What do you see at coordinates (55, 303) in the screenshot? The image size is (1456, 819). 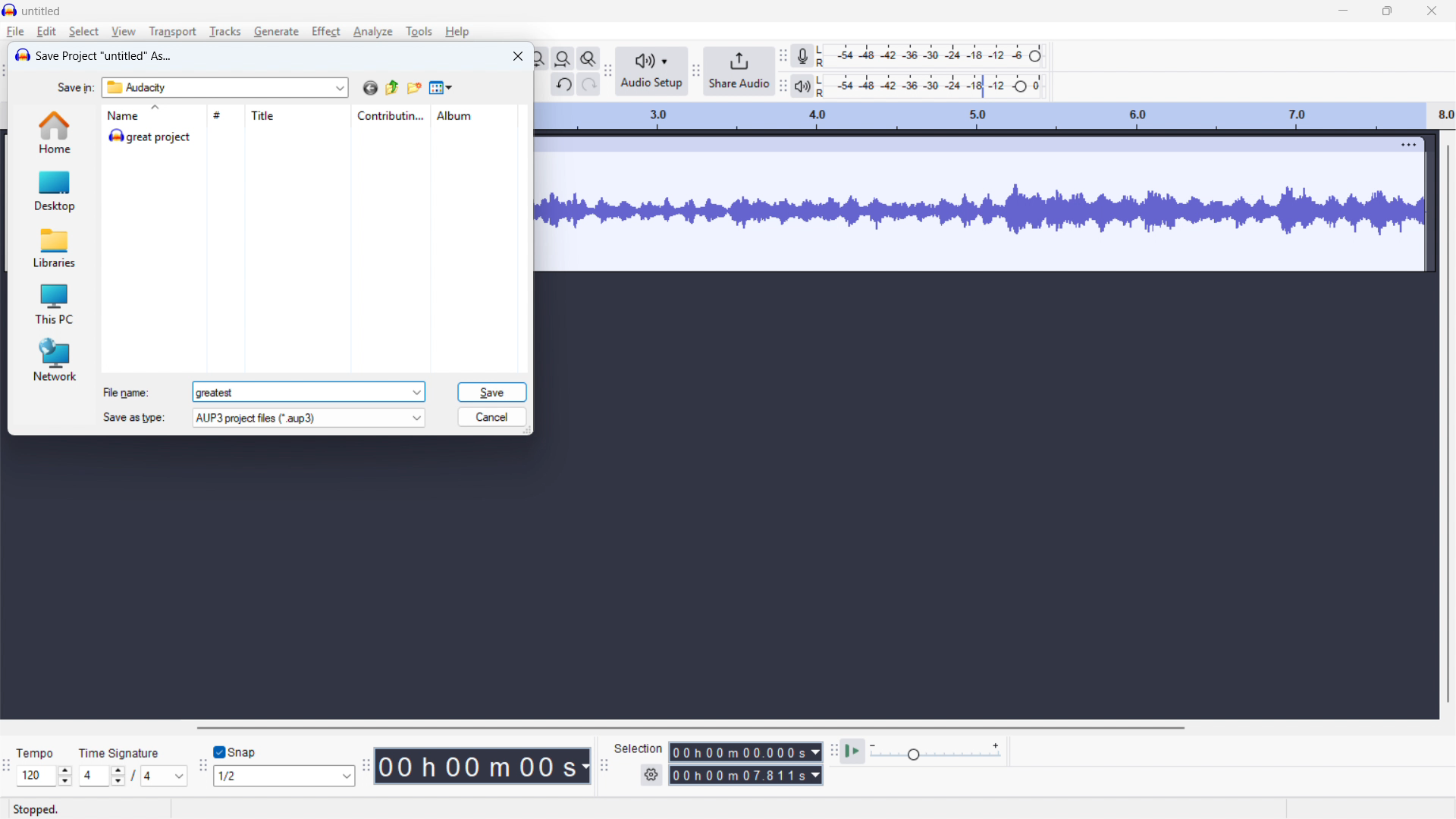 I see `this pc` at bounding box center [55, 303].